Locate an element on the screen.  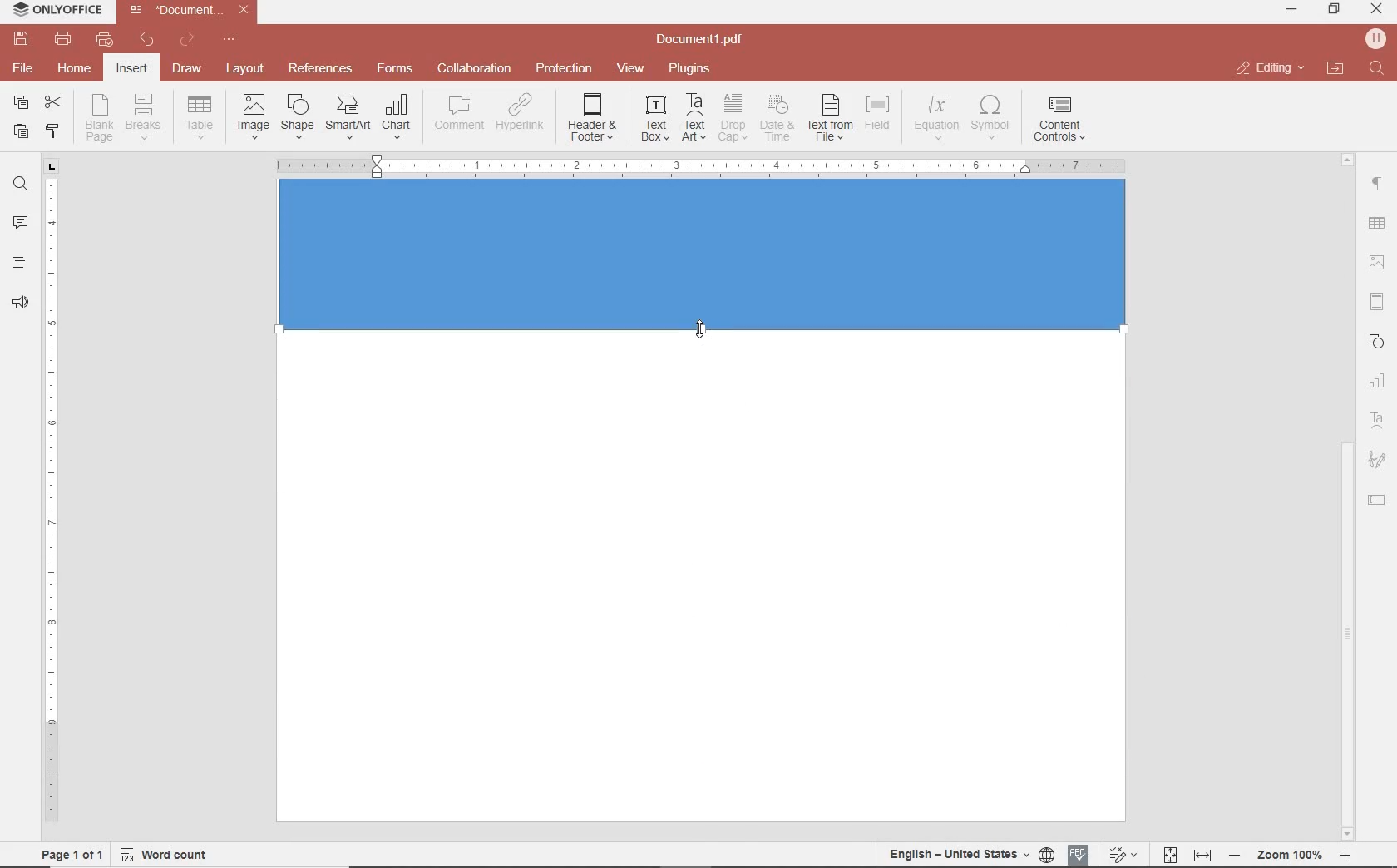
open file location is located at coordinates (1335, 69).